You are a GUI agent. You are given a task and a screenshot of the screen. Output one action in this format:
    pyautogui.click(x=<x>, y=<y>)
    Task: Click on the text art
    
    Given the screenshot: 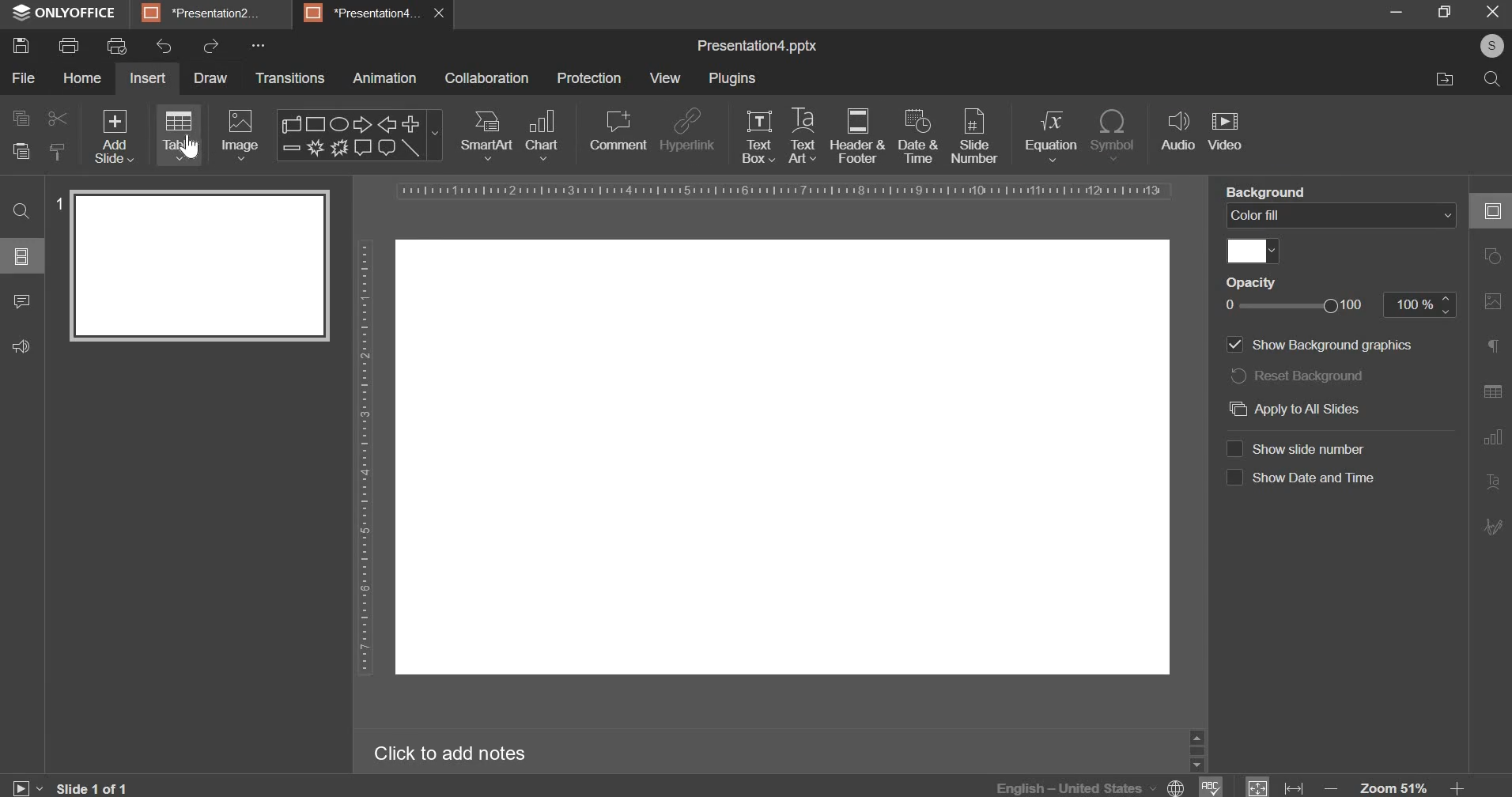 What is the action you would take?
    pyautogui.click(x=1495, y=481)
    